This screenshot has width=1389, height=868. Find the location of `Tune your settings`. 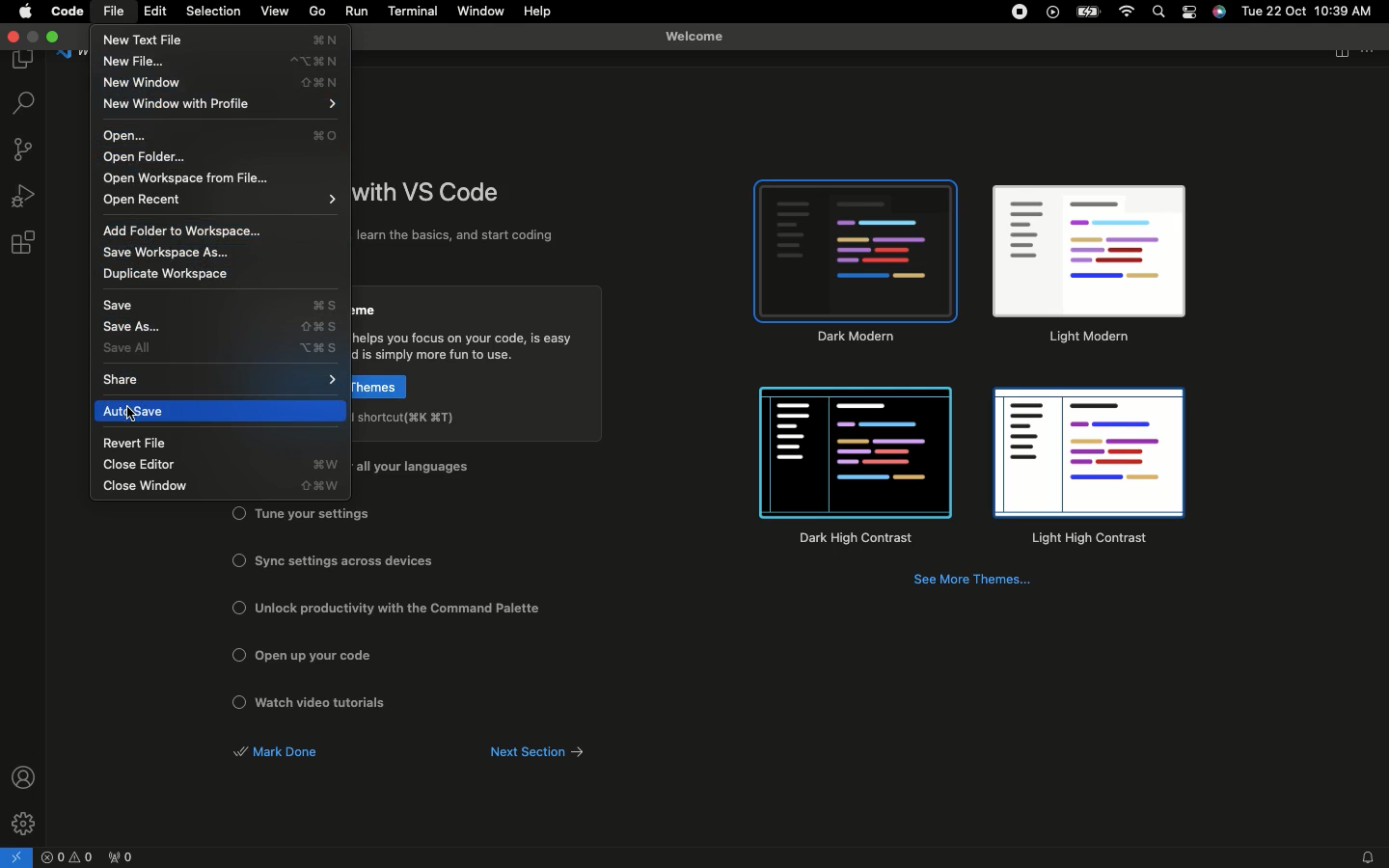

Tune your settings is located at coordinates (313, 514).